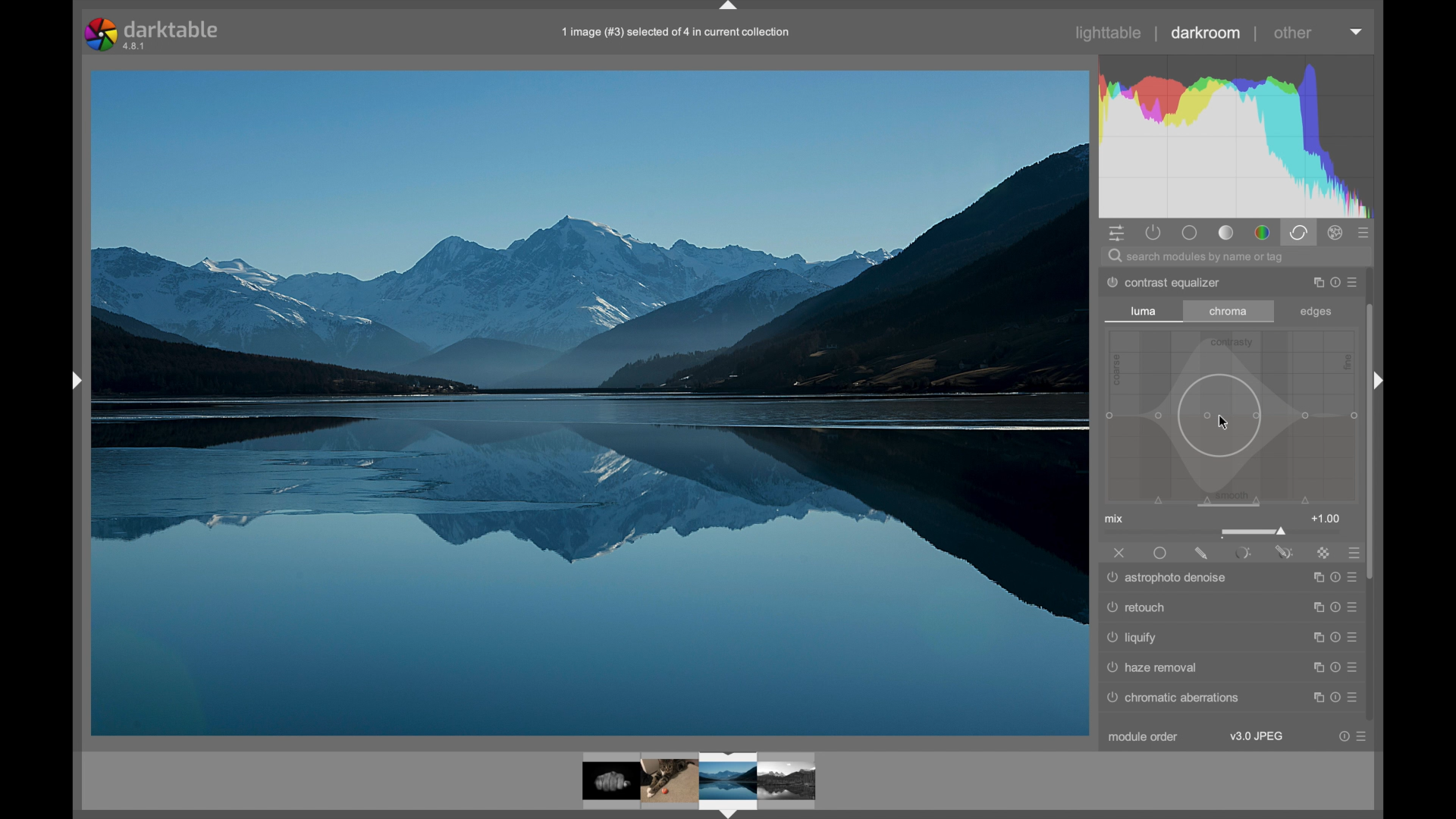 This screenshot has height=819, width=1456. Describe the element at coordinates (1327, 518) in the screenshot. I see `1.00` at that location.